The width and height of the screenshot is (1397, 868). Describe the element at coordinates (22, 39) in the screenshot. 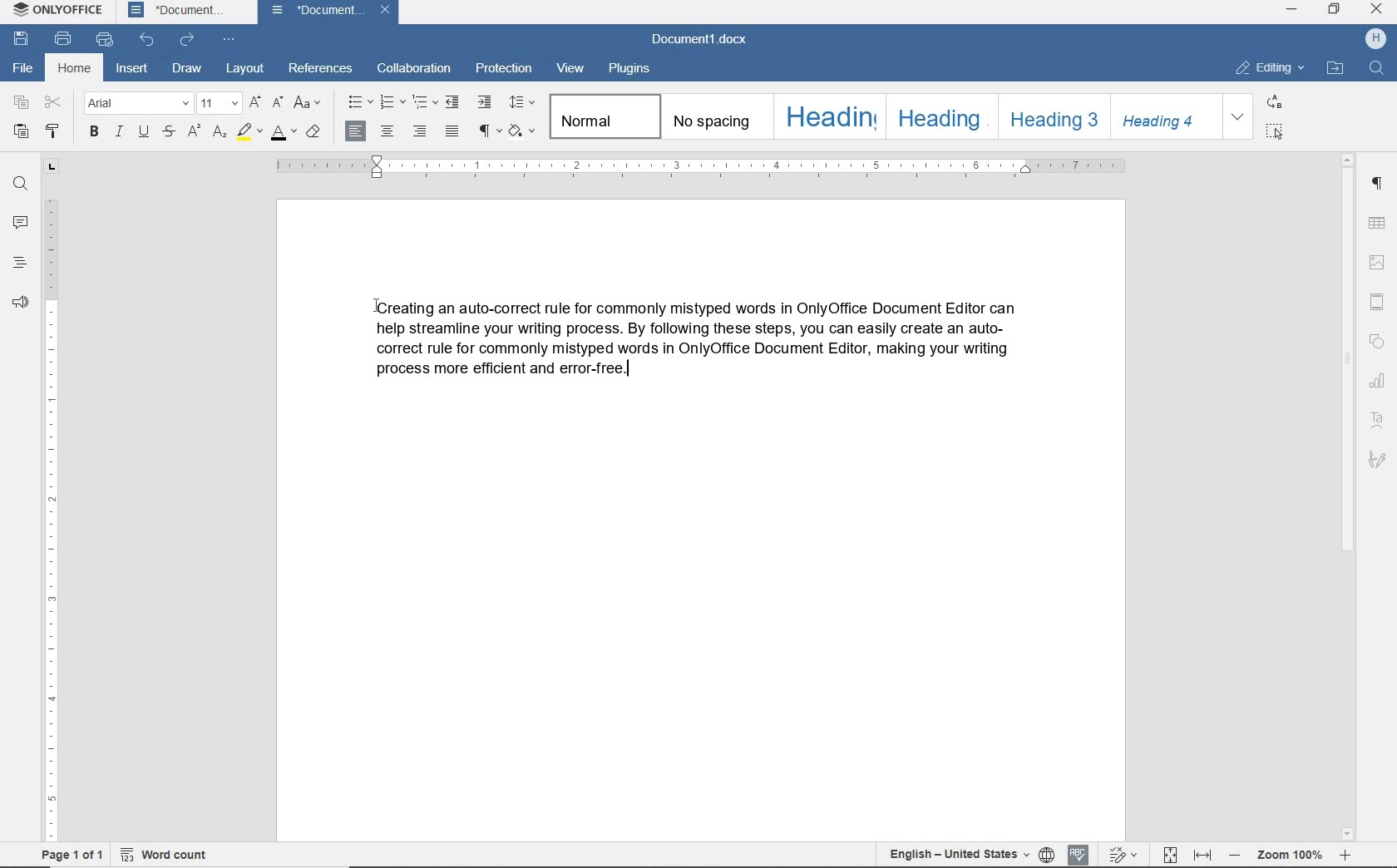

I see `save` at that location.